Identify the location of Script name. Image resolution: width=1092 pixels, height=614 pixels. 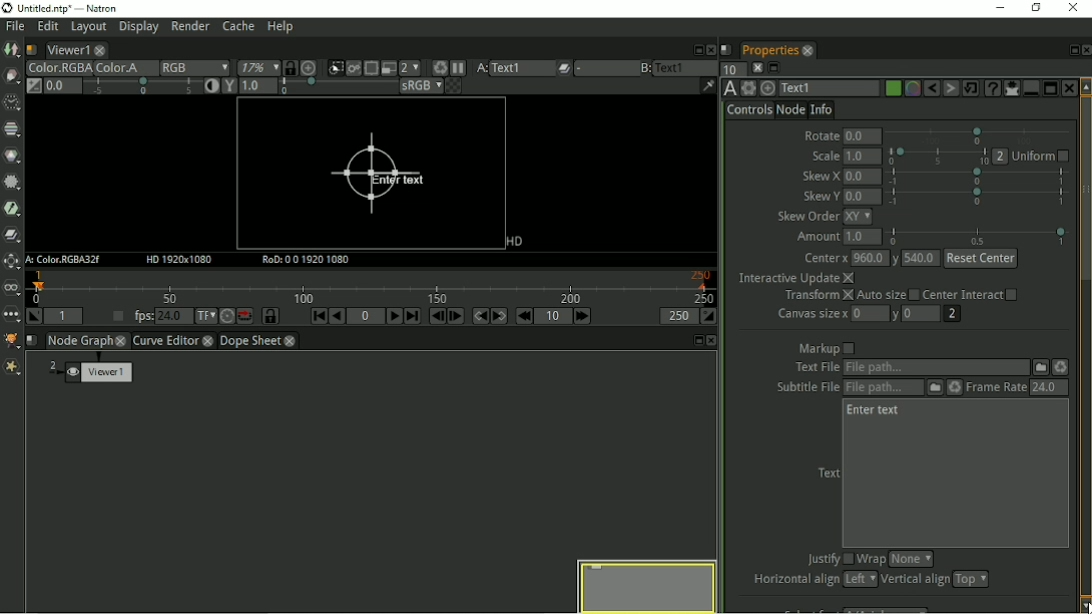
(726, 49).